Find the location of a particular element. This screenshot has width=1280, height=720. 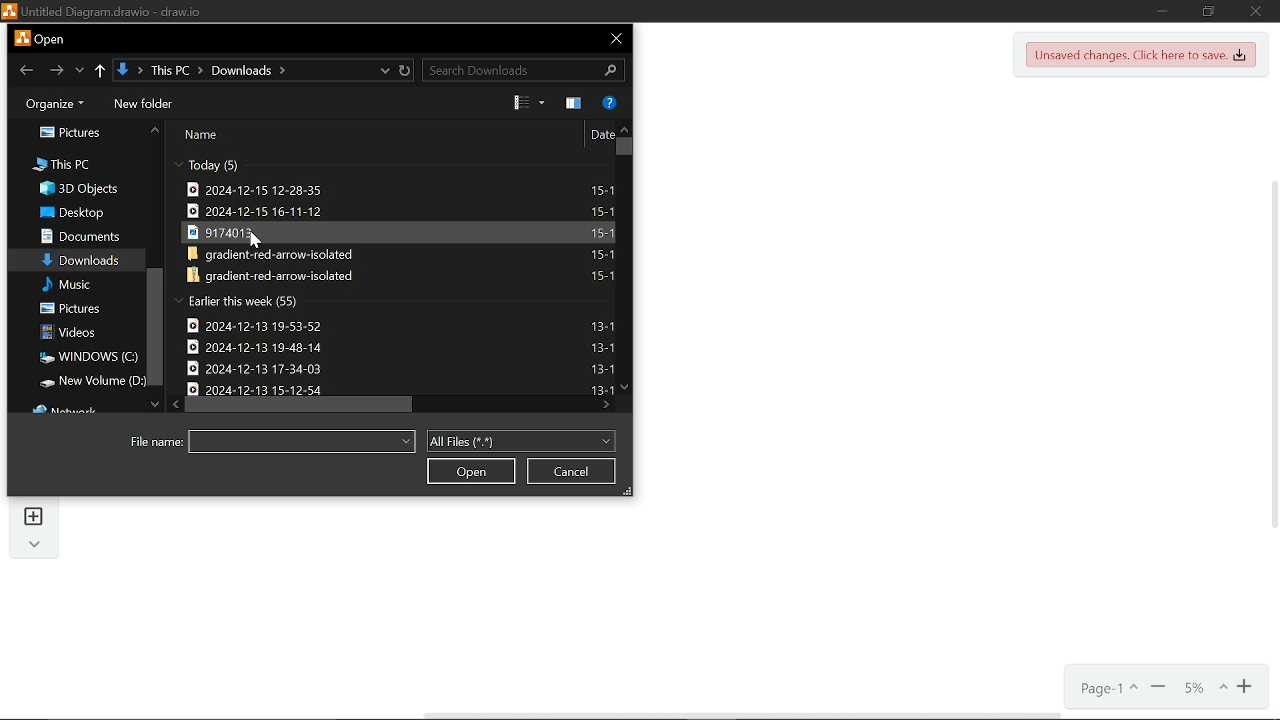

music is located at coordinates (76, 284).